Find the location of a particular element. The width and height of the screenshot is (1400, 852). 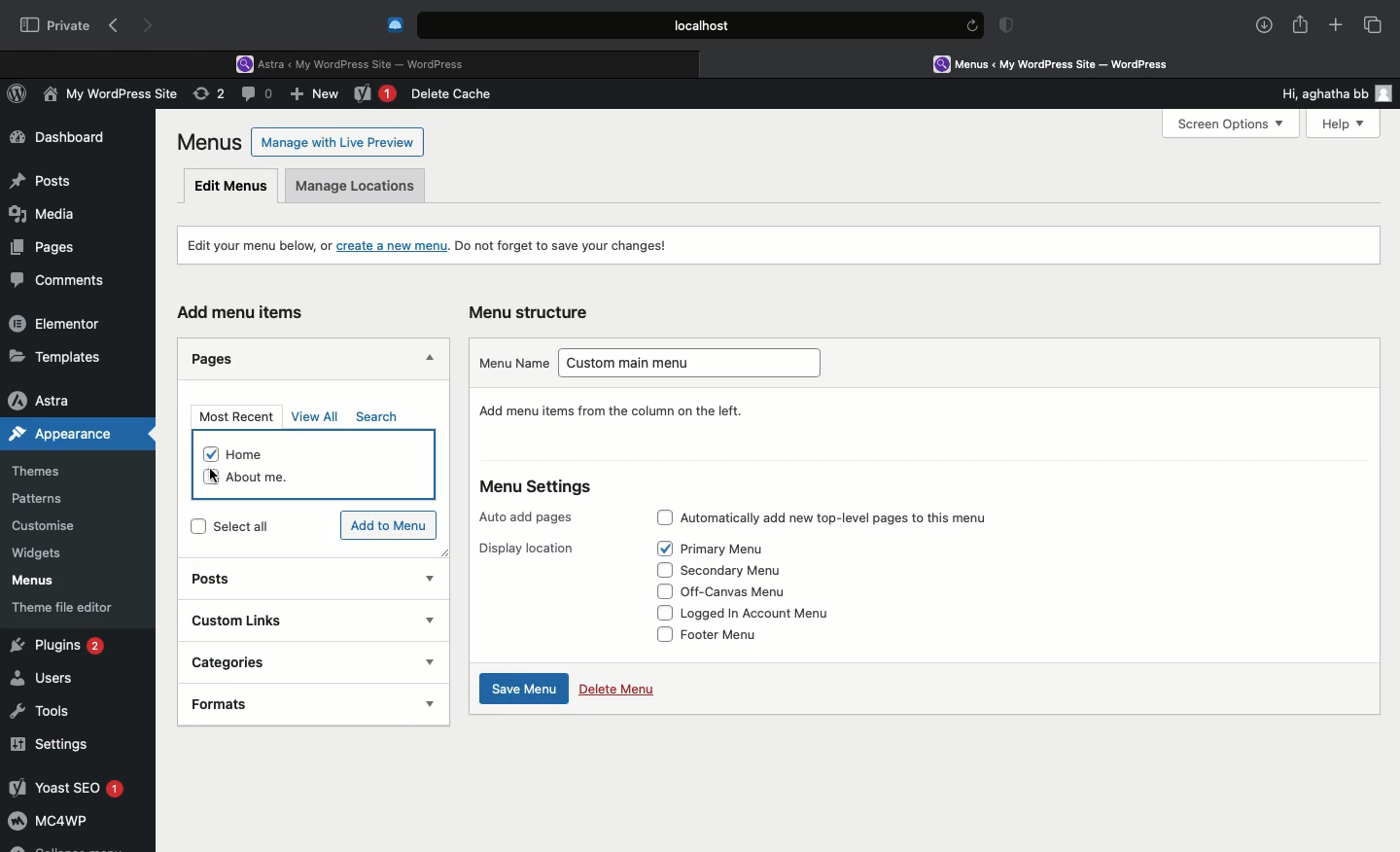

Users is located at coordinates (46, 679).